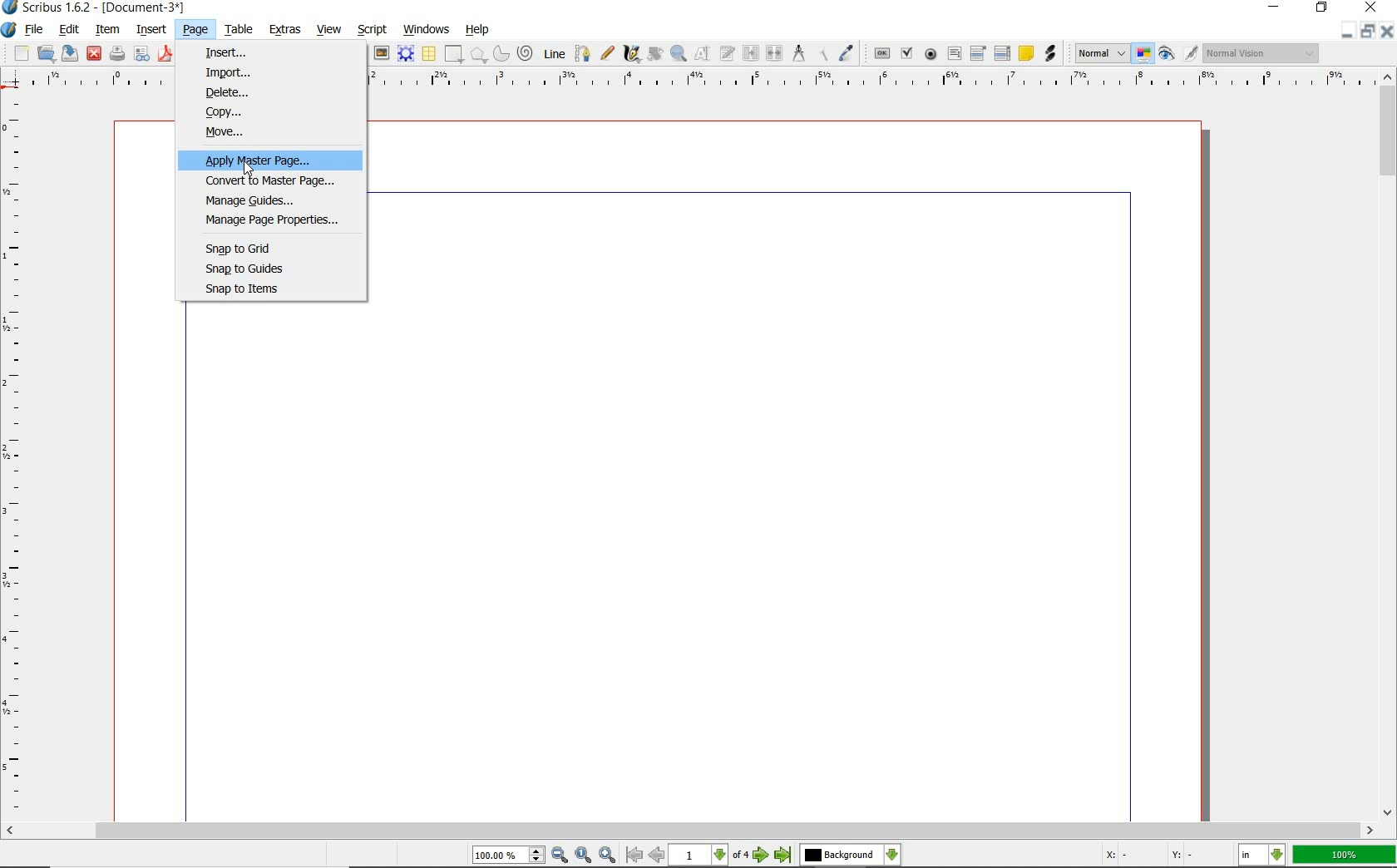 The width and height of the screenshot is (1397, 868). I want to click on visual appearance of the display: Normal Vision, so click(1263, 53).